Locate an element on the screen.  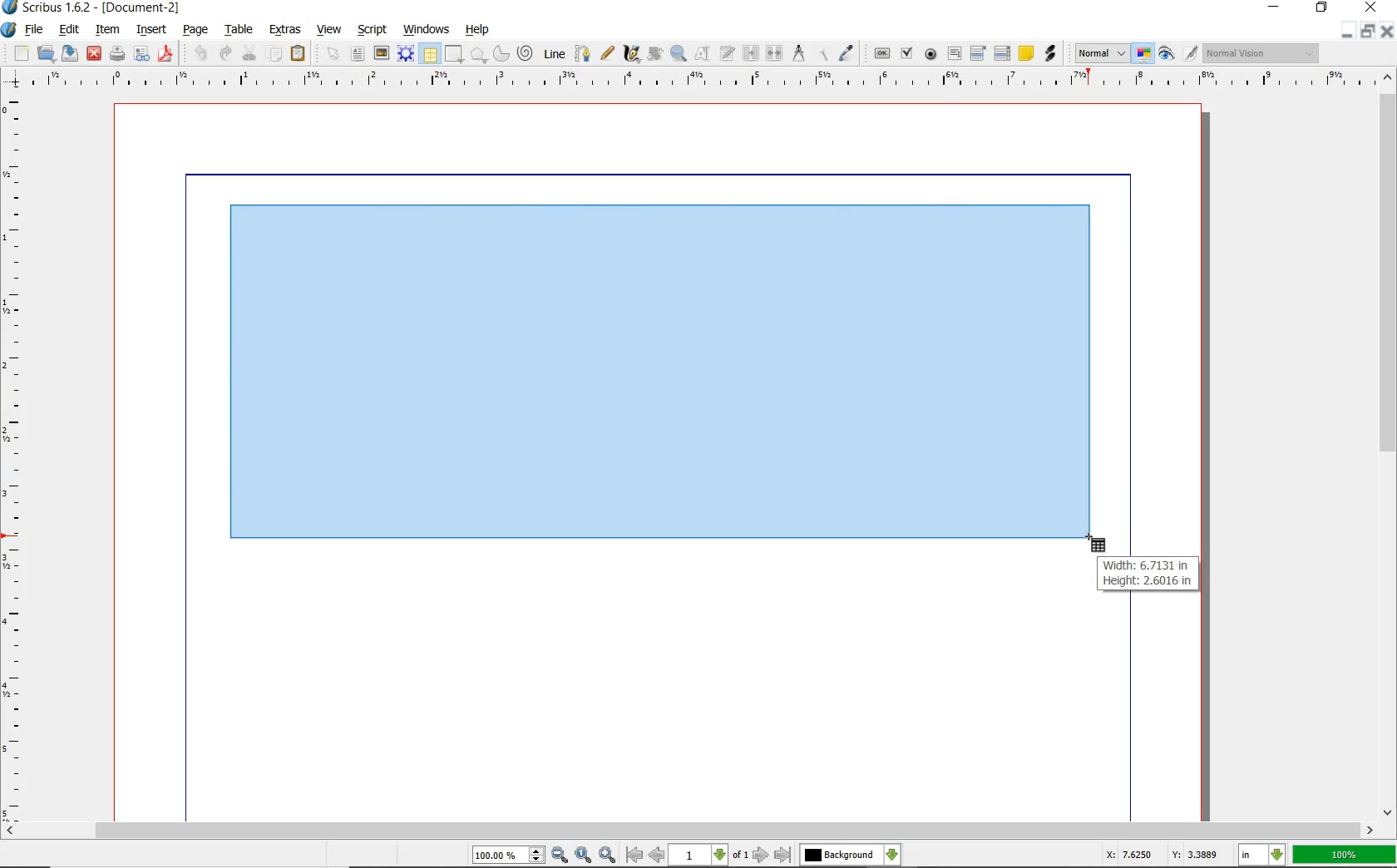
insert is located at coordinates (155, 31).